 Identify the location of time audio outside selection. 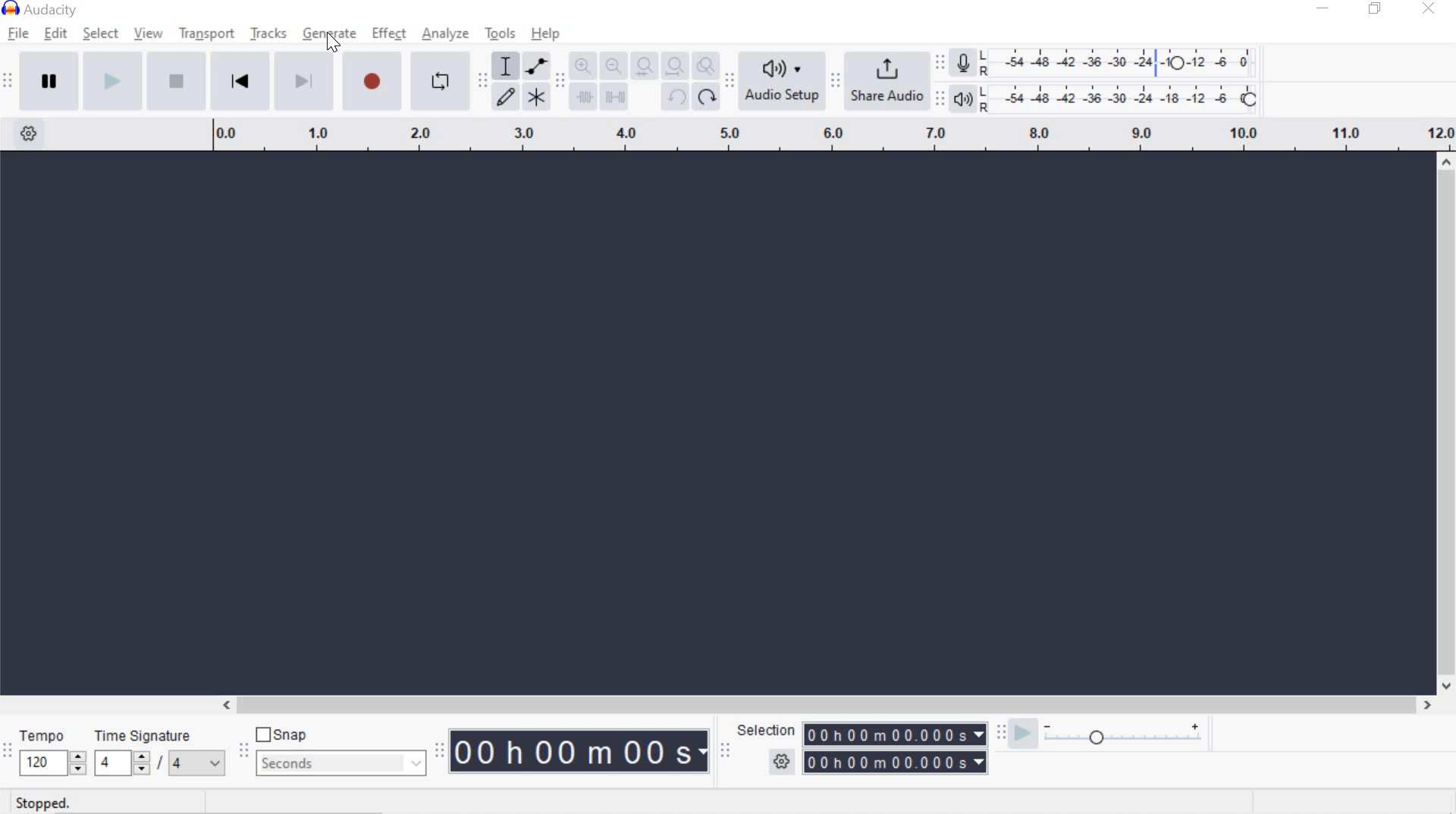
(585, 98).